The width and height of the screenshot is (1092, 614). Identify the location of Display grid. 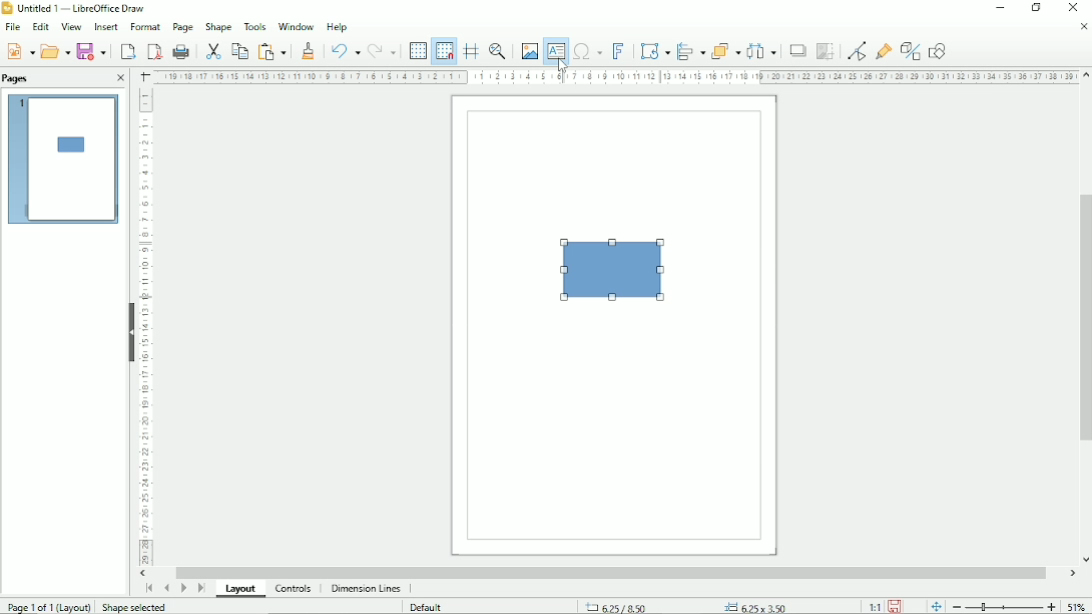
(417, 49).